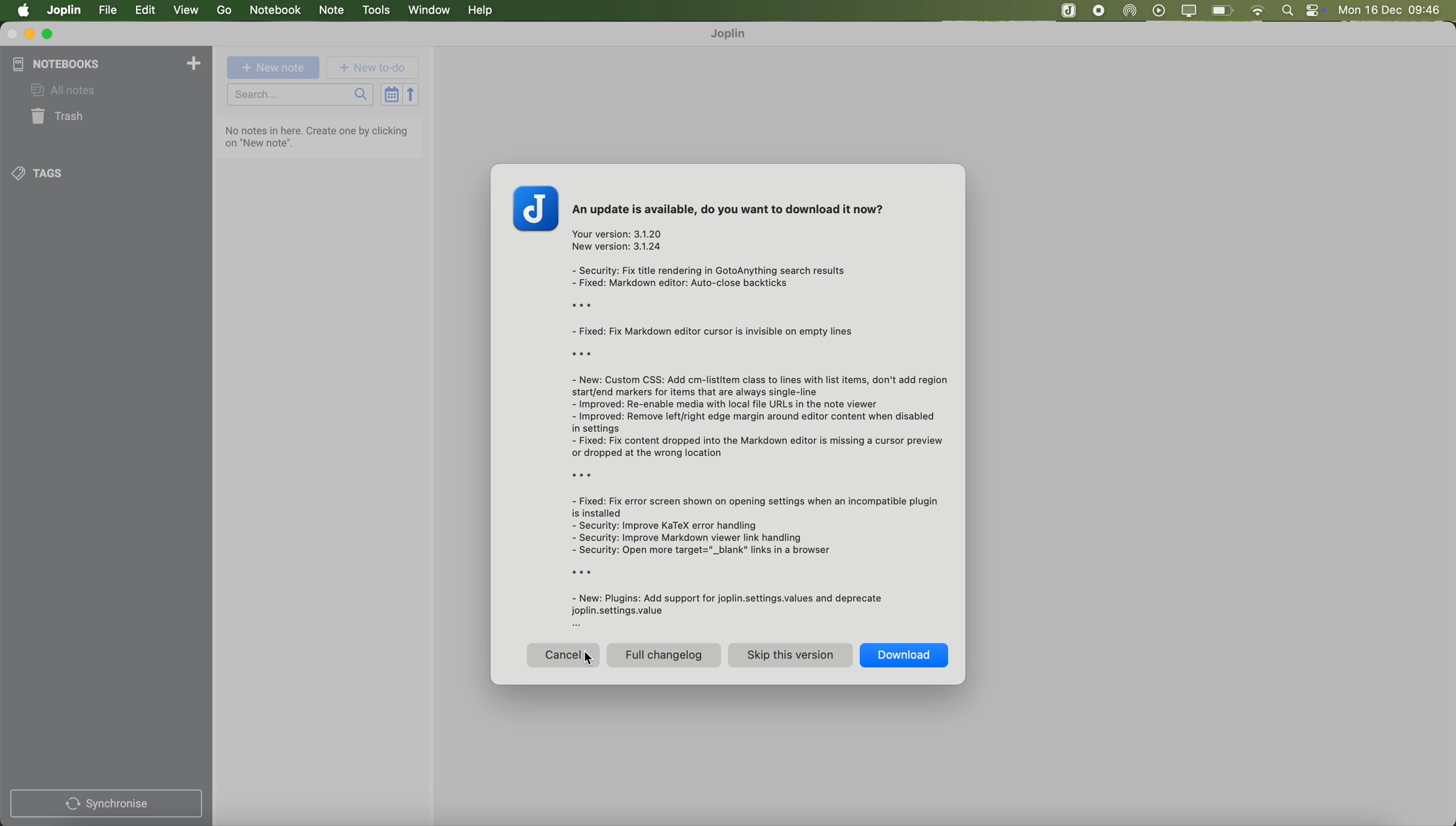 This screenshot has width=1456, height=826. Describe the element at coordinates (1133, 11) in the screenshot. I see `Airdrop` at that location.